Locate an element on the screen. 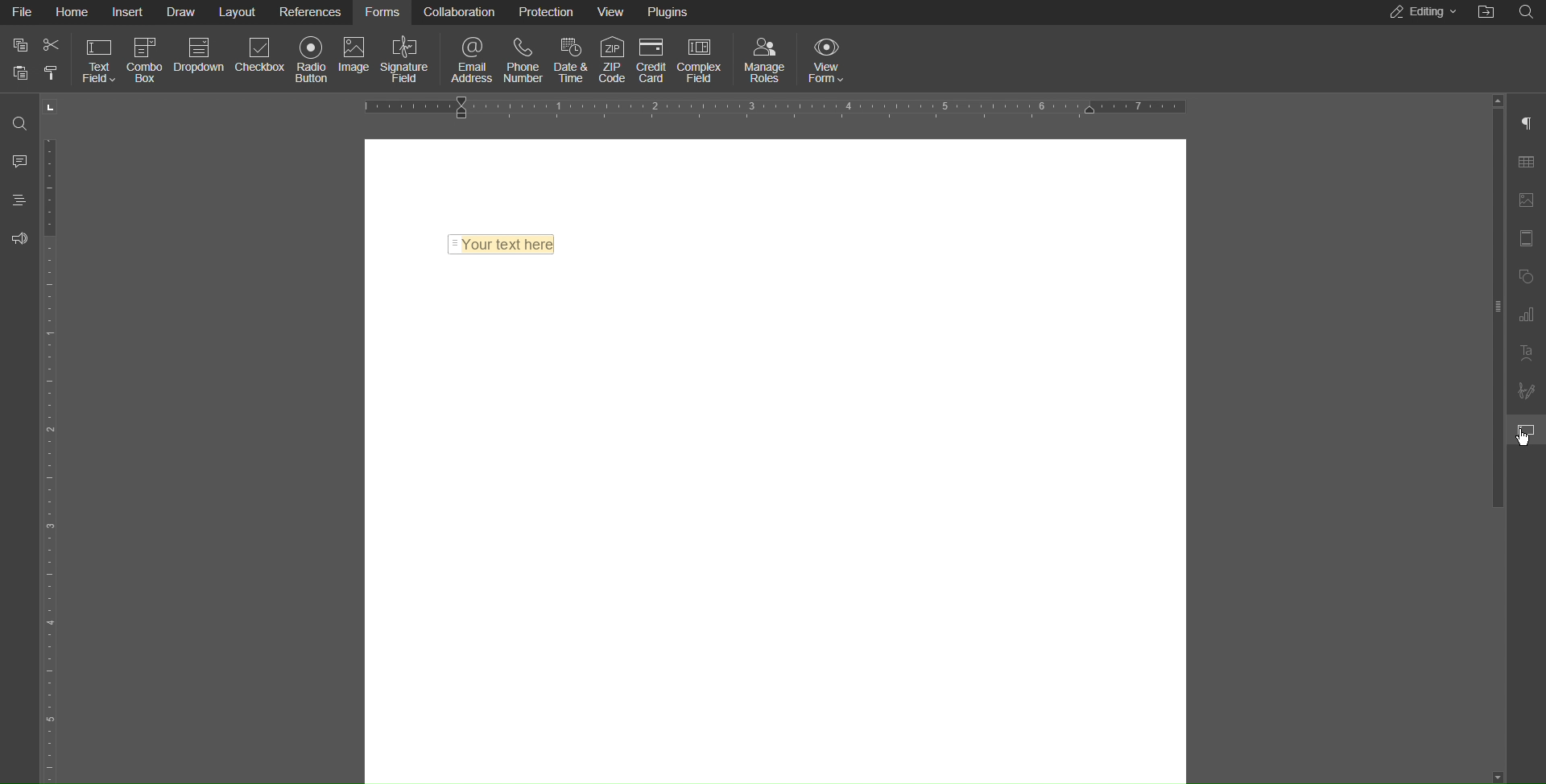  Search is located at coordinates (1530, 12).